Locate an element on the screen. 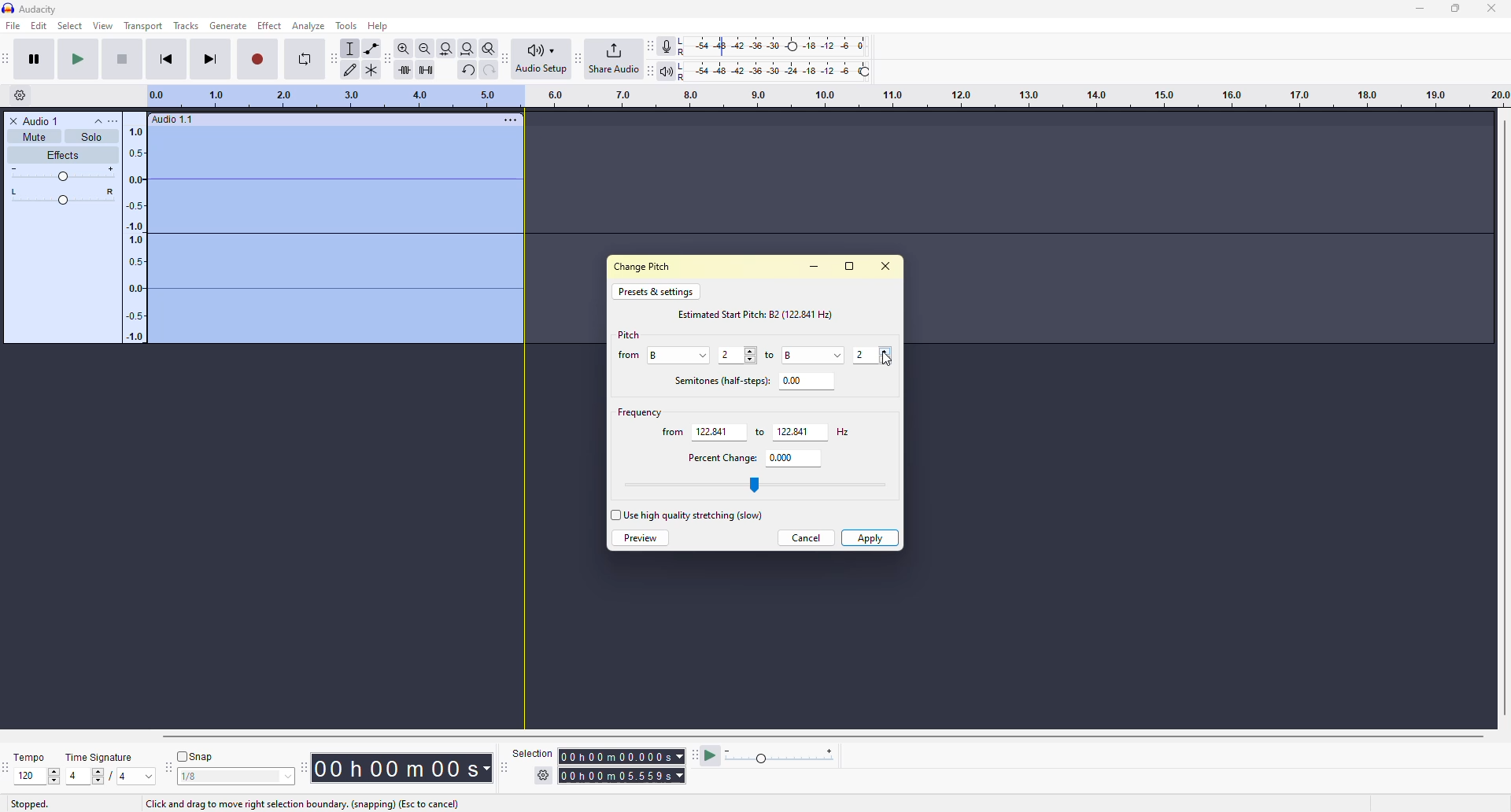 The height and width of the screenshot is (812, 1511). to is located at coordinates (771, 356).